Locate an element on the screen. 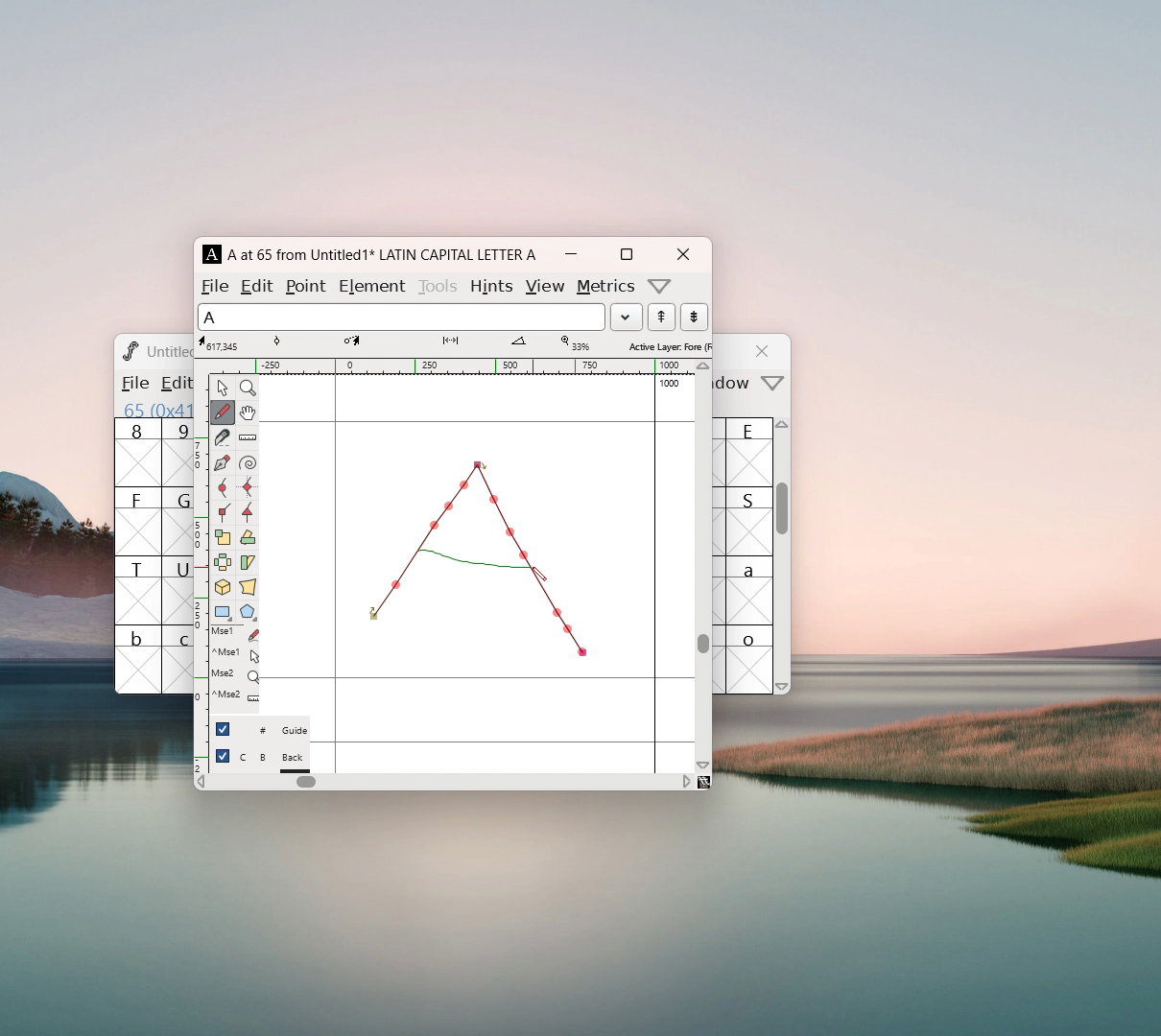  polygon or star is located at coordinates (249, 614).